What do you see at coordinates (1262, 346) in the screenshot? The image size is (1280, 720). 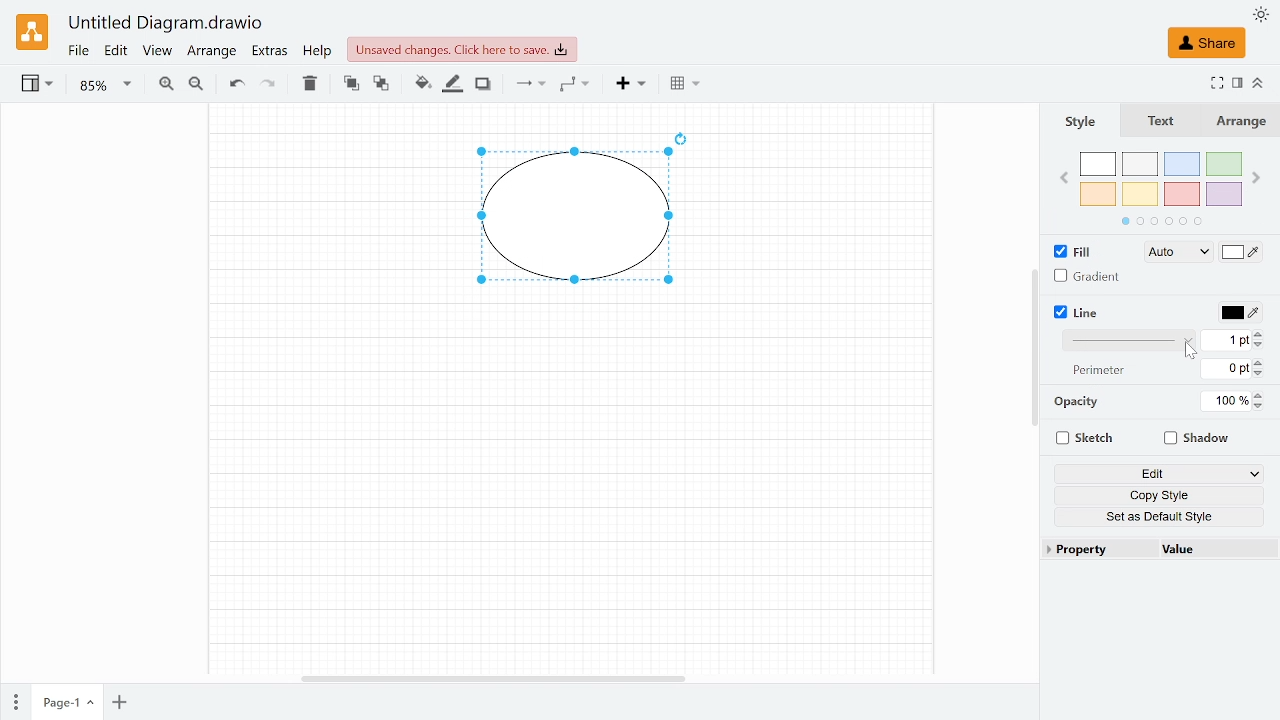 I see `Decrease line width` at bounding box center [1262, 346].